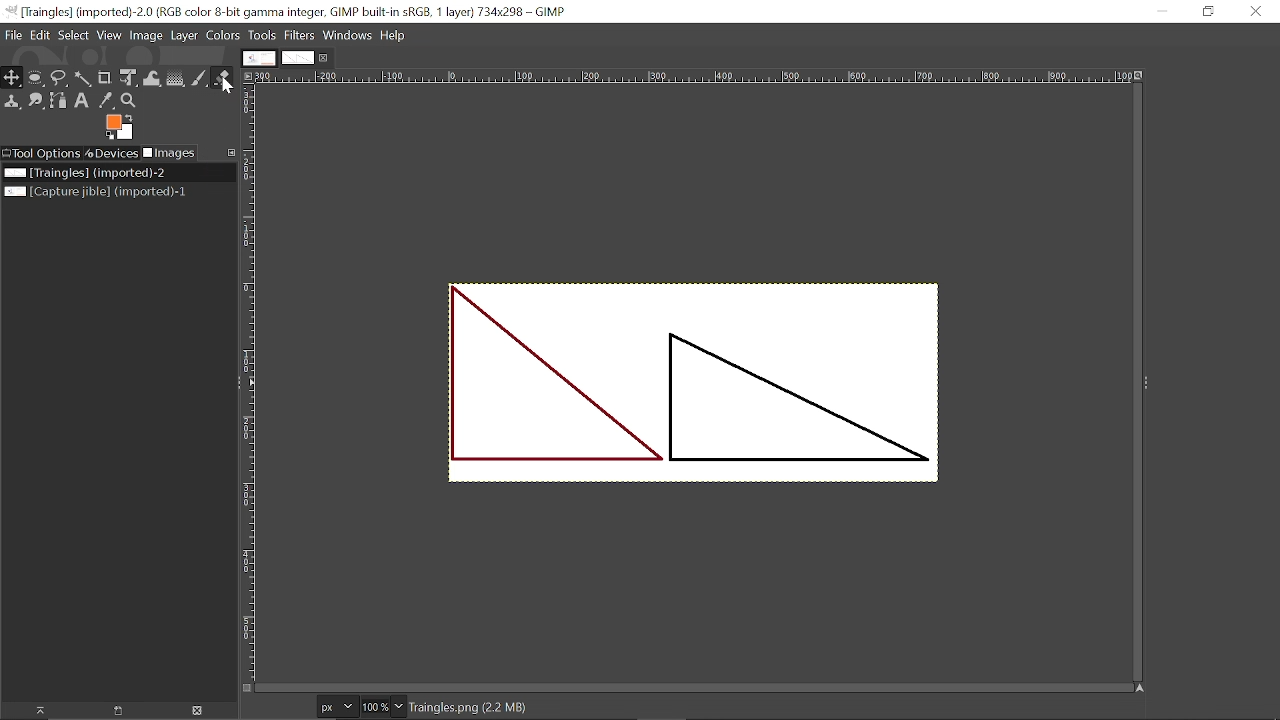 The height and width of the screenshot is (720, 1280). Describe the element at coordinates (252, 76) in the screenshot. I see `Access this image menu` at that location.